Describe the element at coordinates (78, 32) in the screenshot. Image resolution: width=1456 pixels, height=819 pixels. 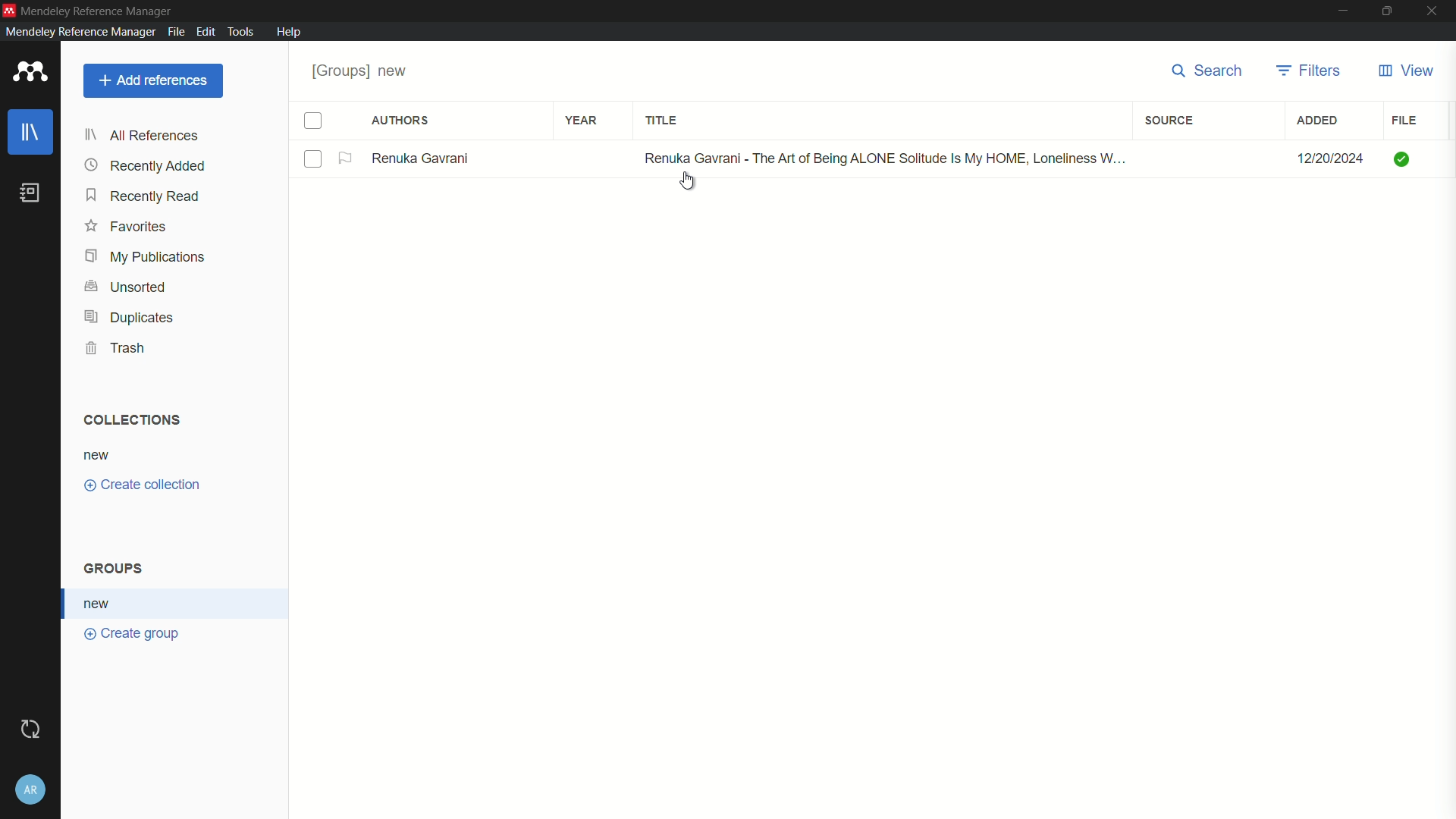
I see `mendeley reference manager` at that location.